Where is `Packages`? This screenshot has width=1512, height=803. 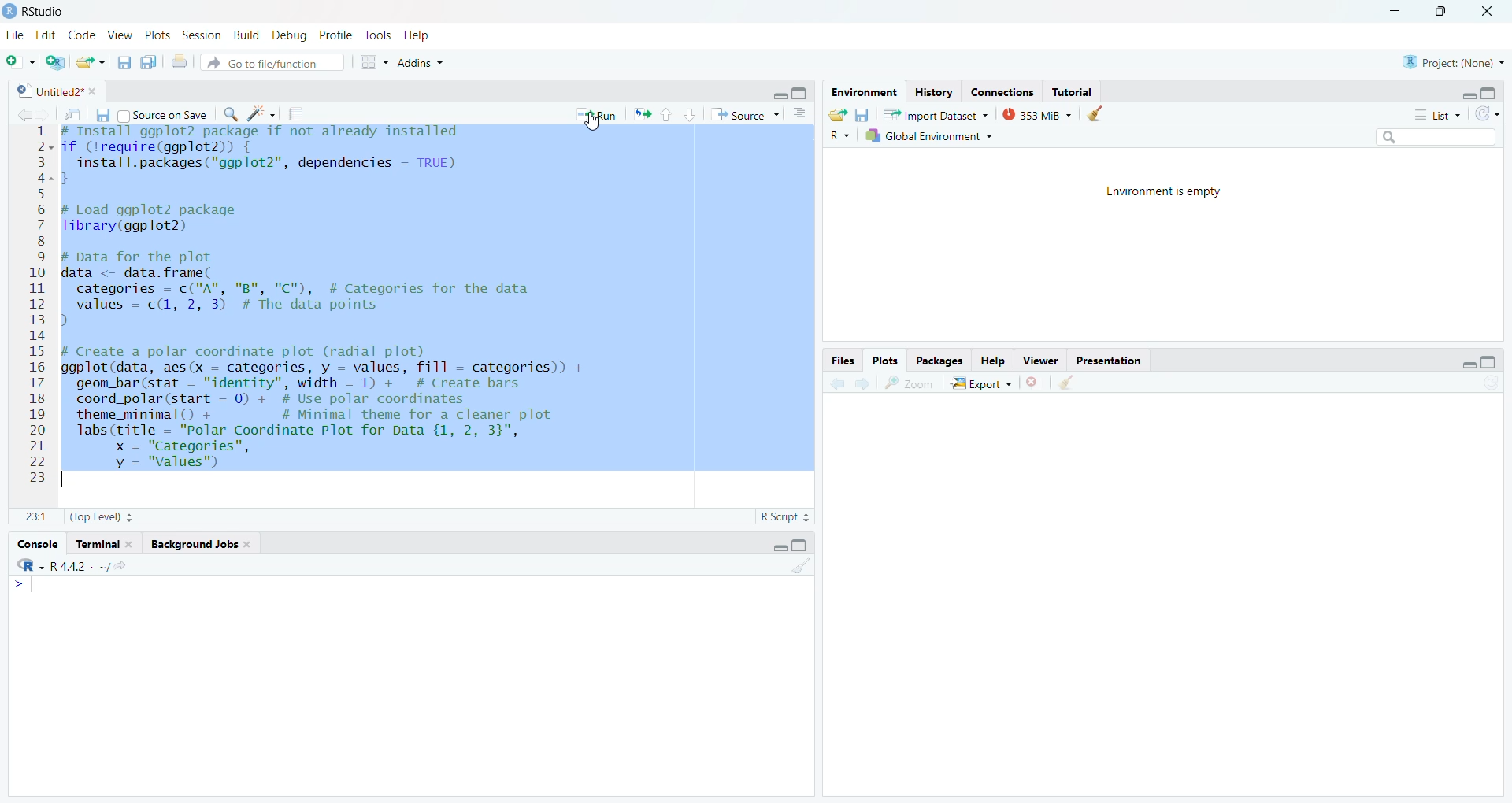 Packages is located at coordinates (943, 361).